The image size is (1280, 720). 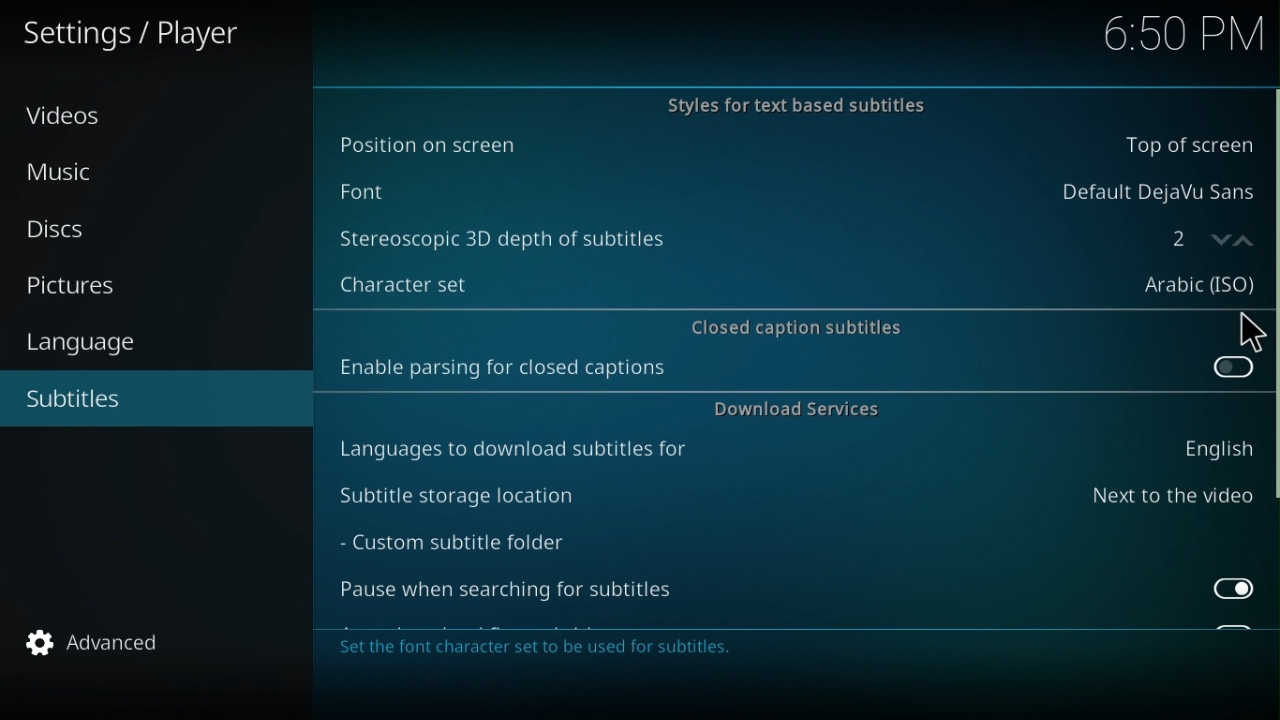 I want to click on Language, so click(x=73, y=341).